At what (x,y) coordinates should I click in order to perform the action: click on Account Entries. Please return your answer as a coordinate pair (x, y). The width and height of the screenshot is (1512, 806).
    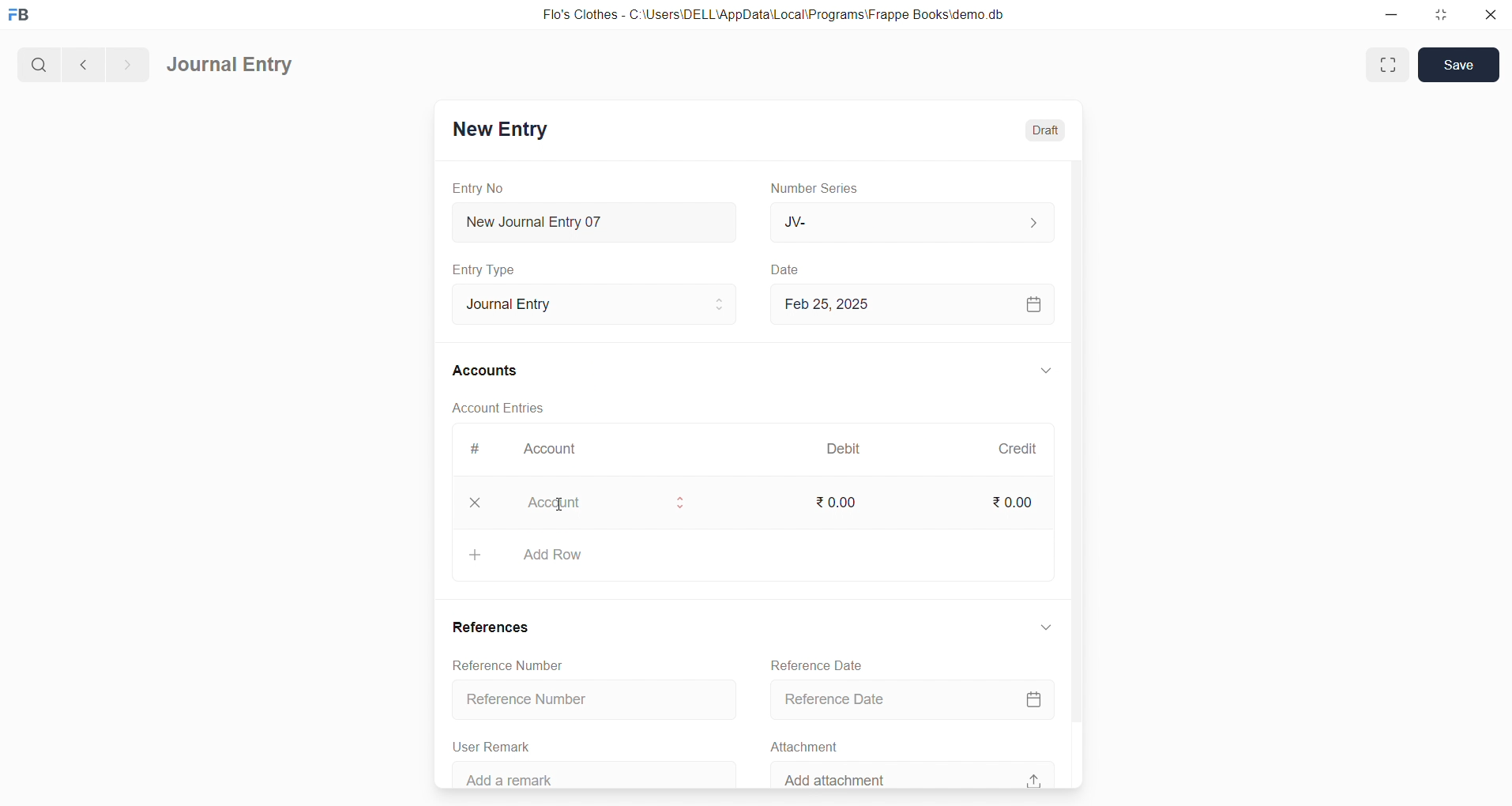
    Looking at the image, I should click on (500, 410).